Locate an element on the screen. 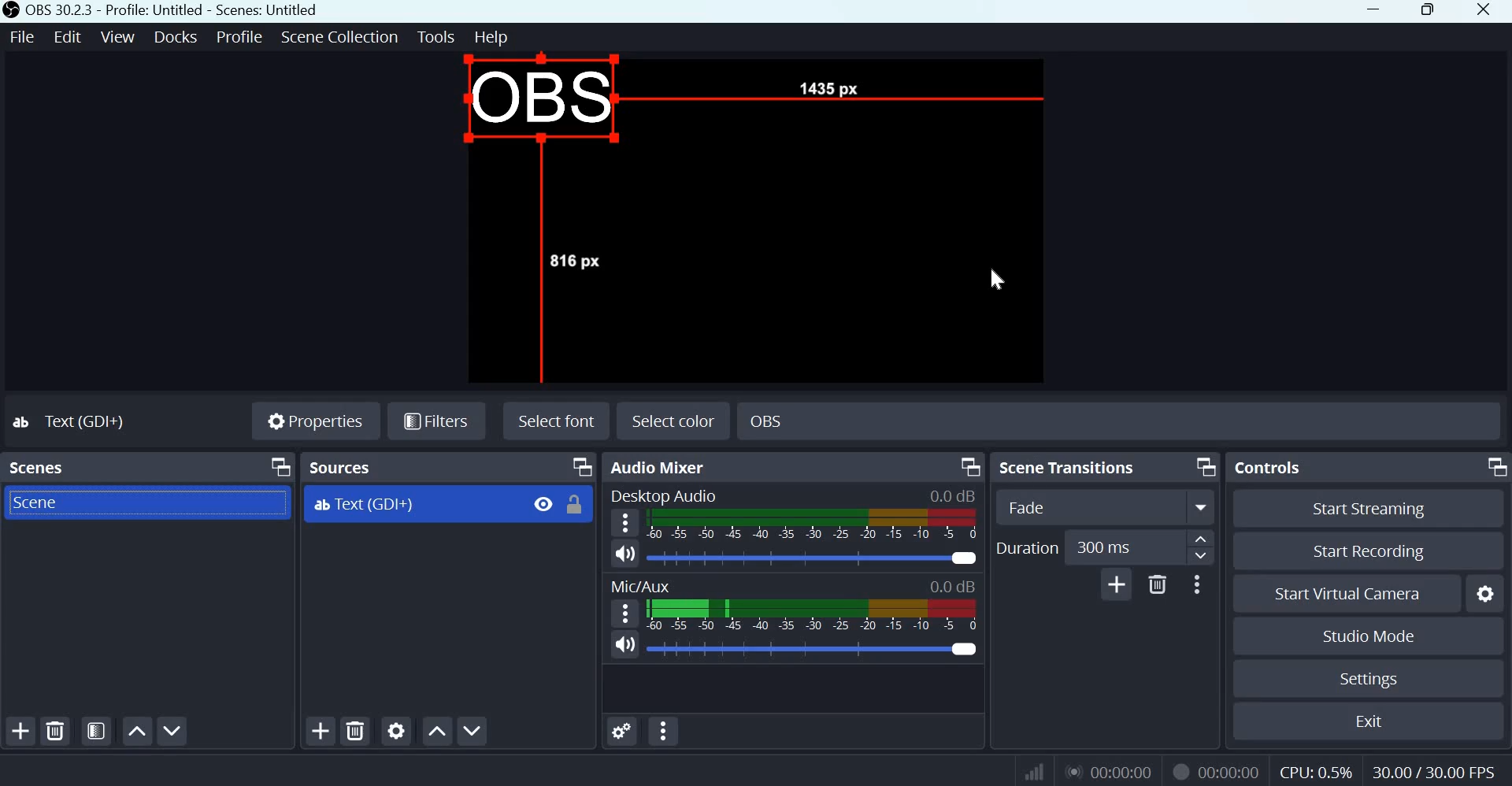  Duration is located at coordinates (1027, 549).